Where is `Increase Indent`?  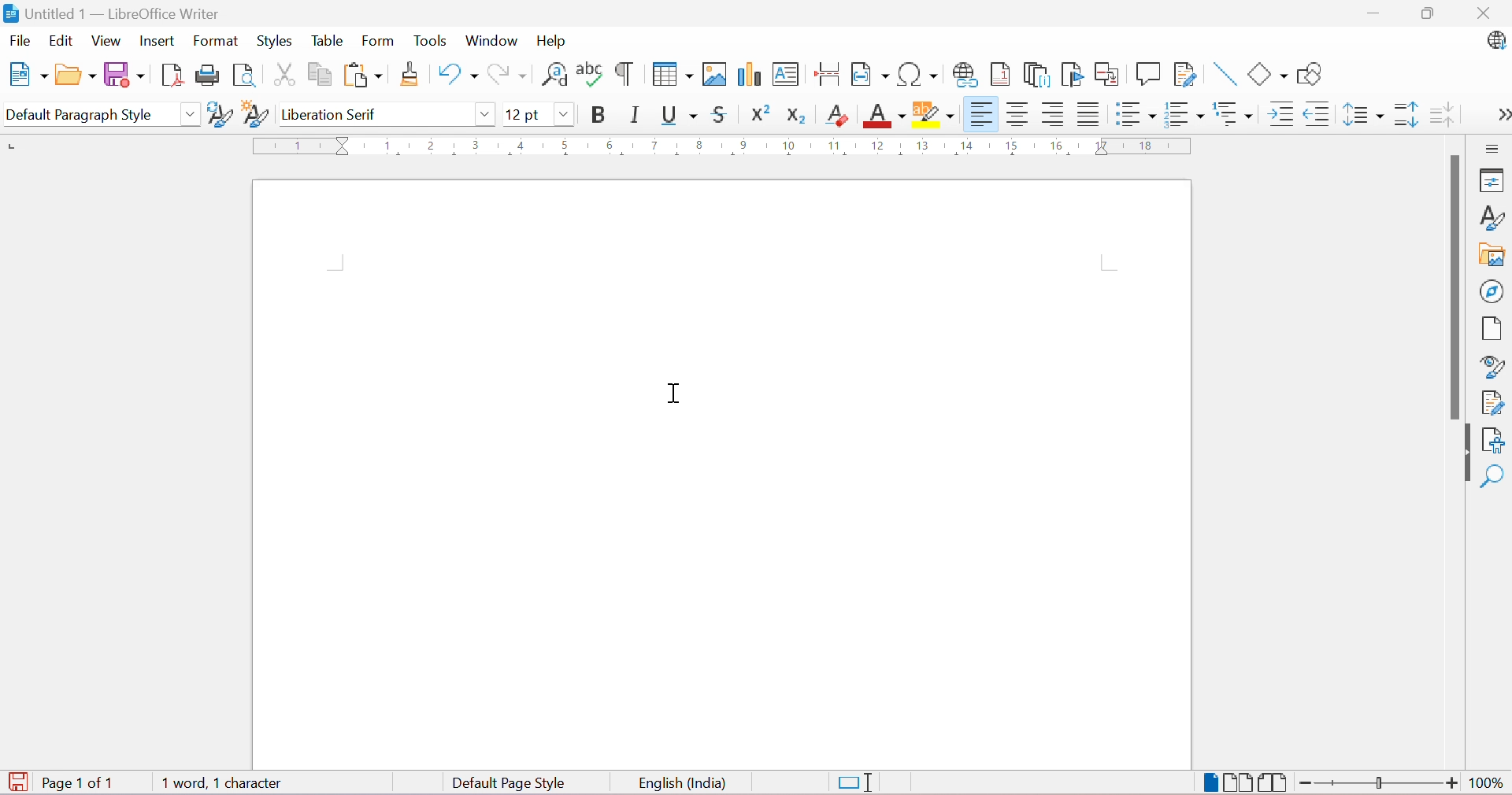 Increase Indent is located at coordinates (1278, 113).